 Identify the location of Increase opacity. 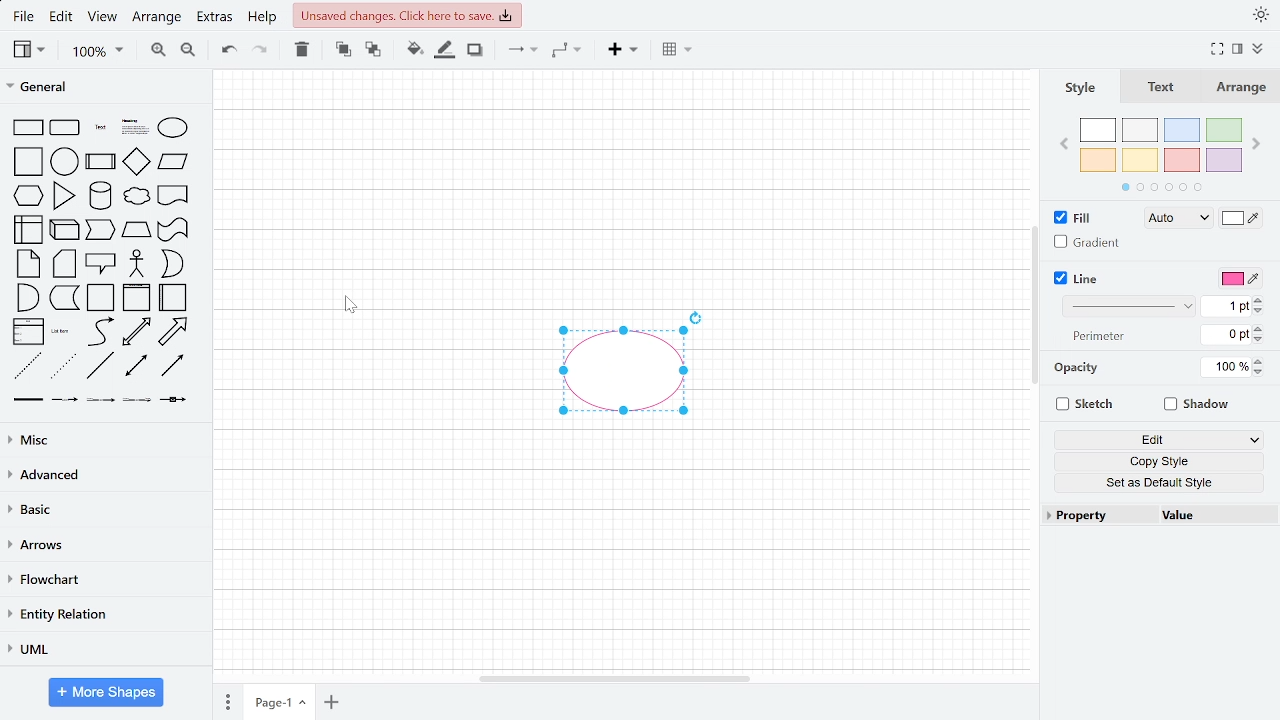
(1258, 362).